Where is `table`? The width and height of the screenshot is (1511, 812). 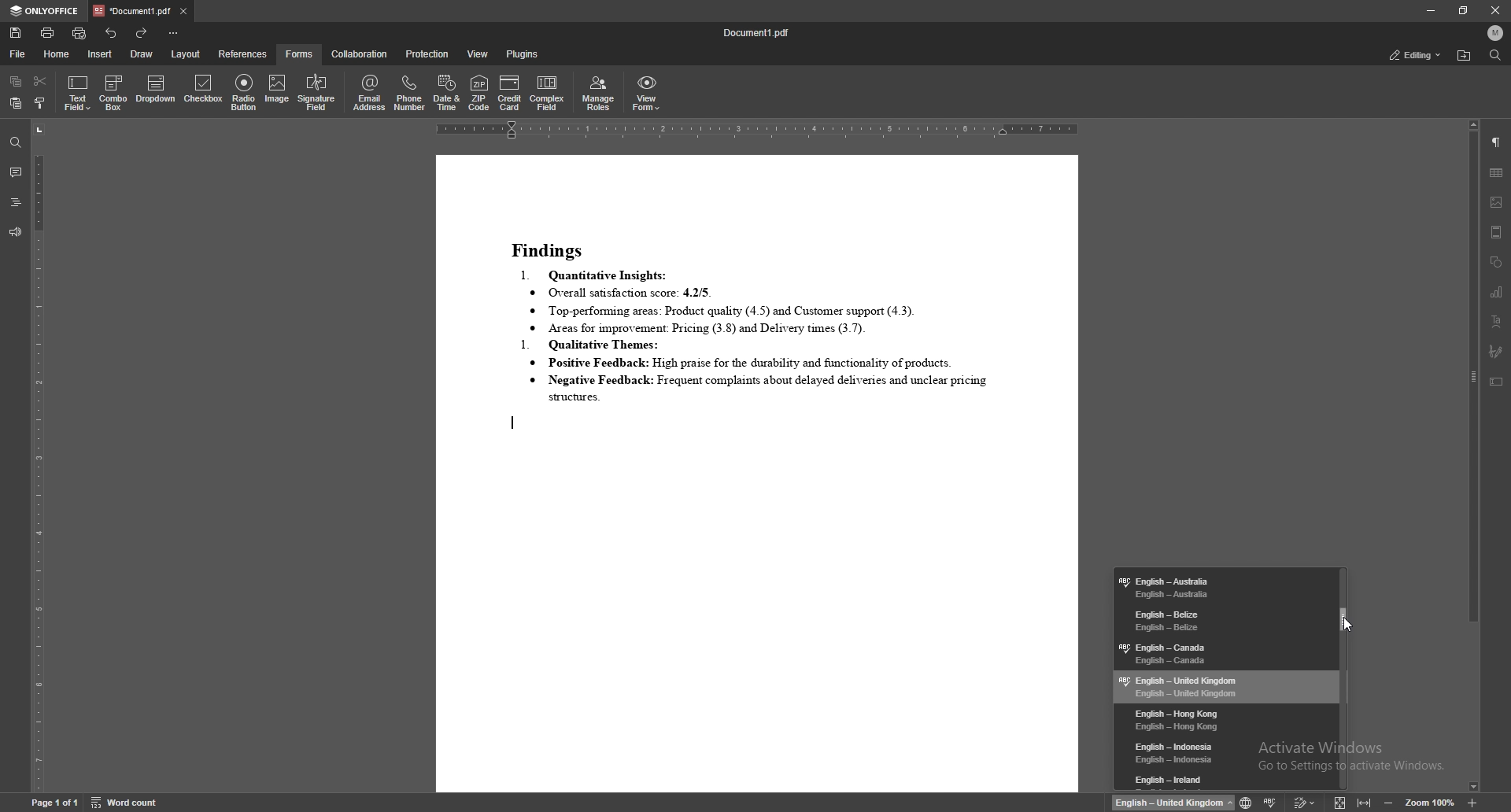
table is located at coordinates (1497, 172).